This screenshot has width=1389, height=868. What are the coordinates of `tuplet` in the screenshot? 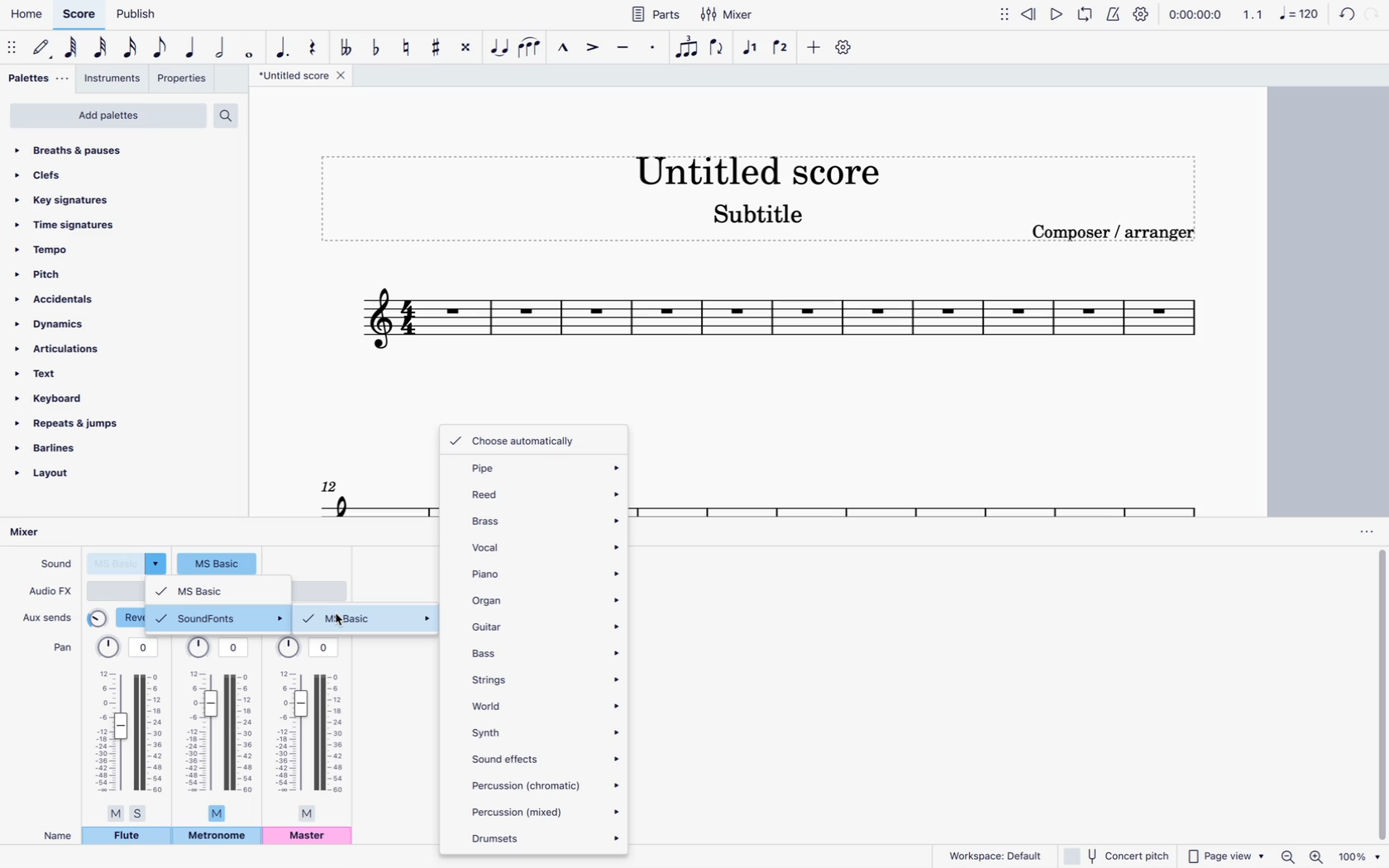 It's located at (688, 51).